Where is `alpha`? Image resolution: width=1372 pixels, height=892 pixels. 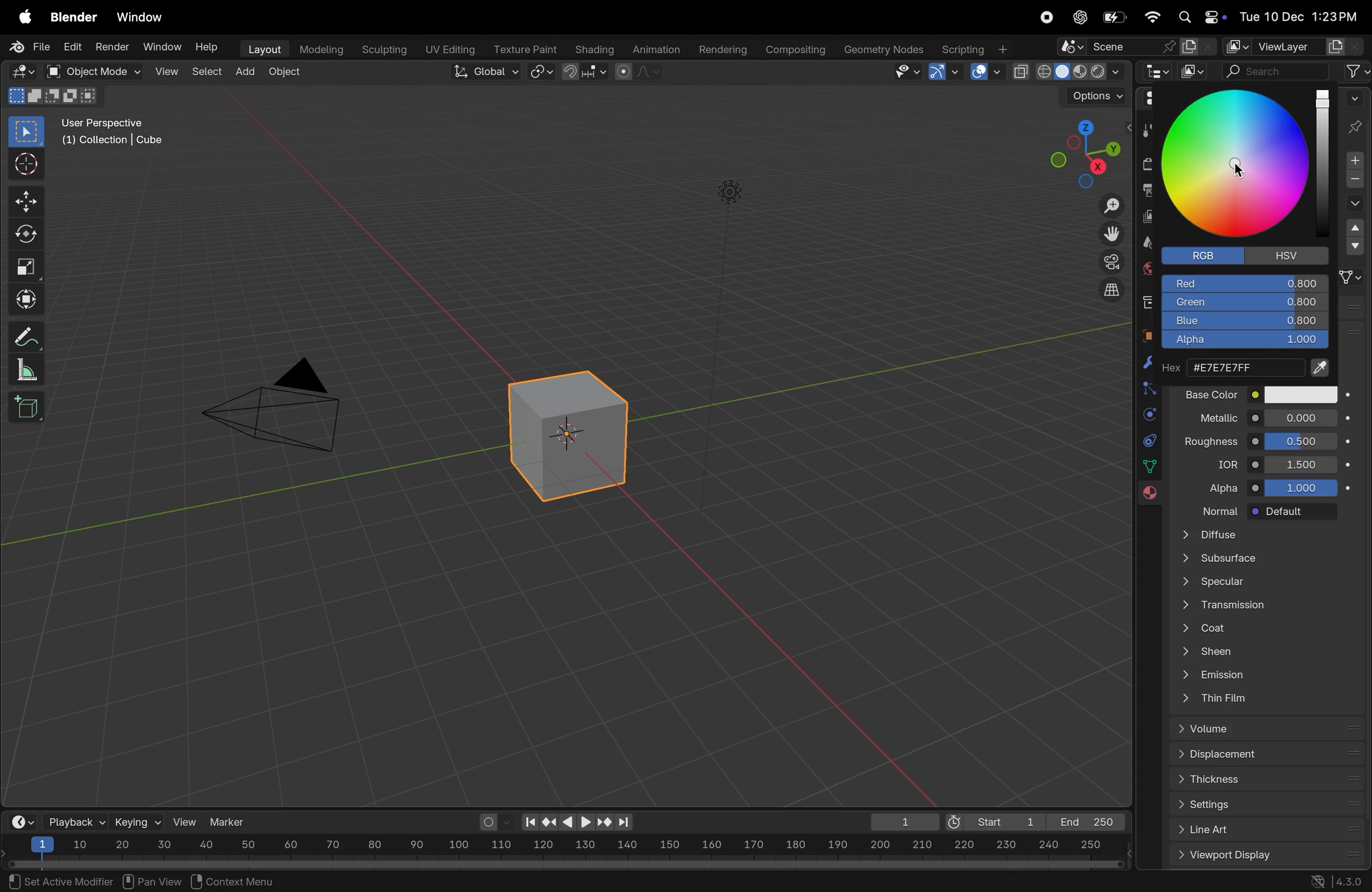
alpha is located at coordinates (1218, 485).